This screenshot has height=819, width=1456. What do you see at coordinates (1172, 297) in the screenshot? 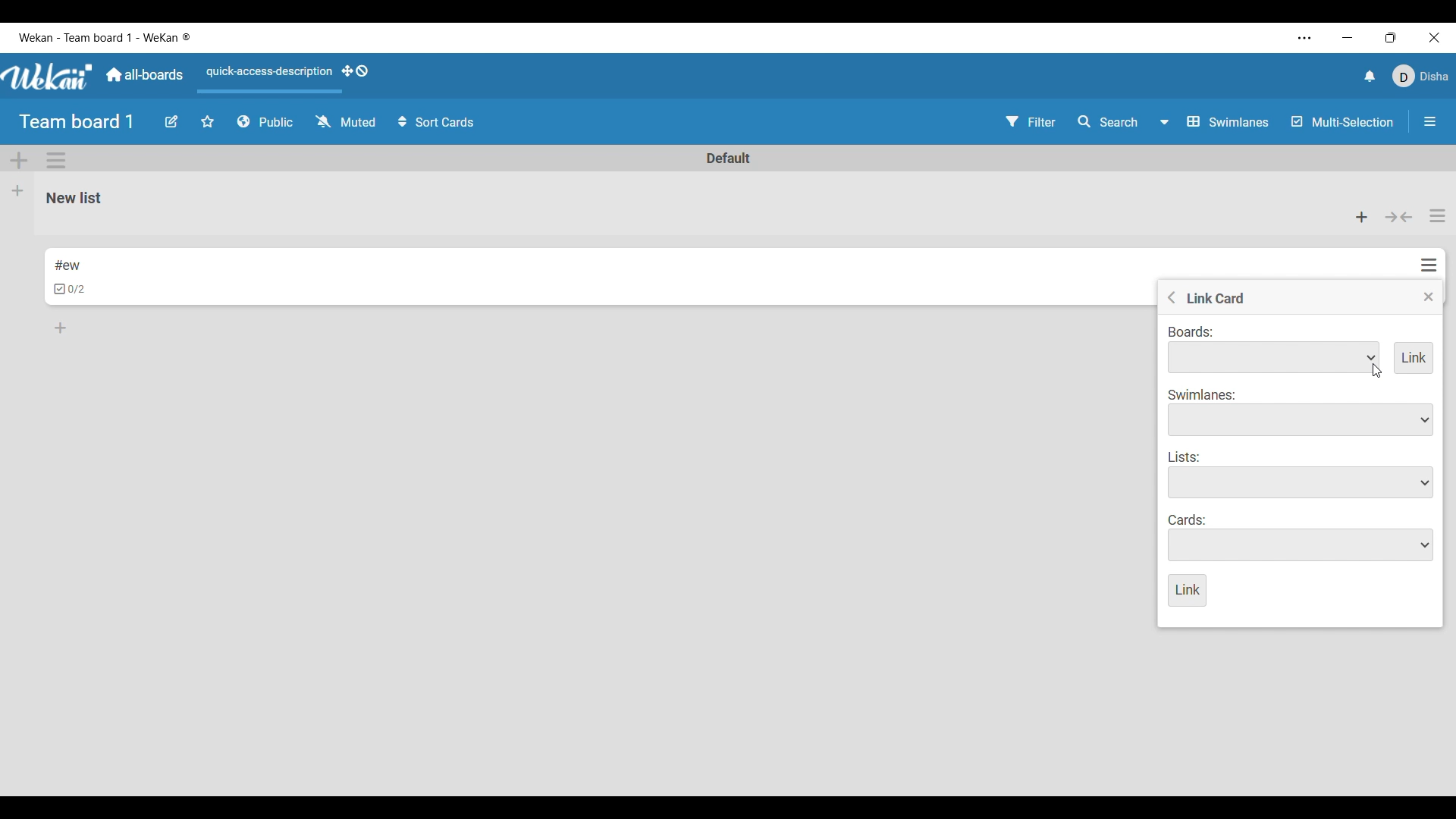
I see `Go to previous menu` at bounding box center [1172, 297].